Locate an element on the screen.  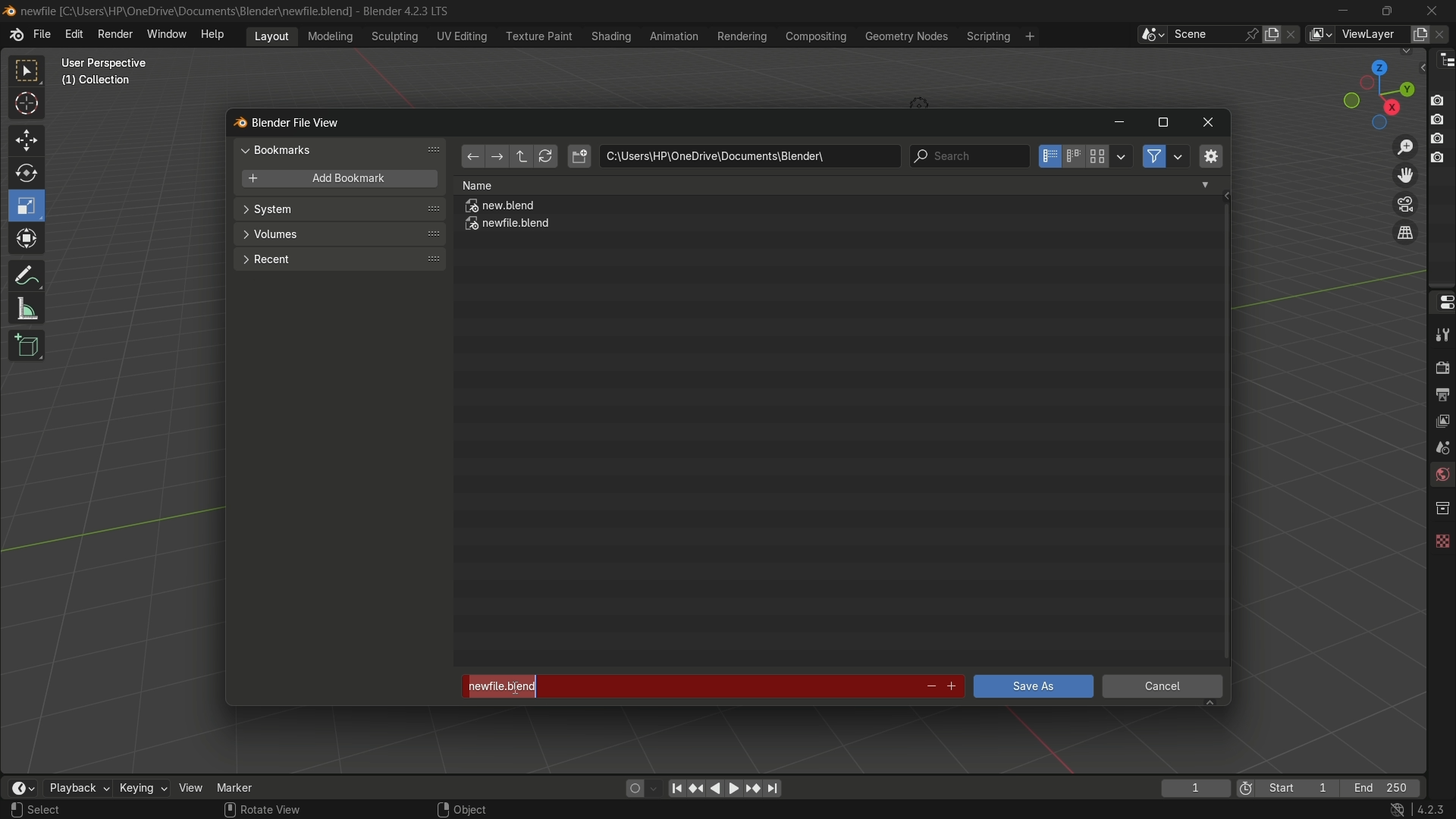
view layer name is located at coordinates (1371, 35).